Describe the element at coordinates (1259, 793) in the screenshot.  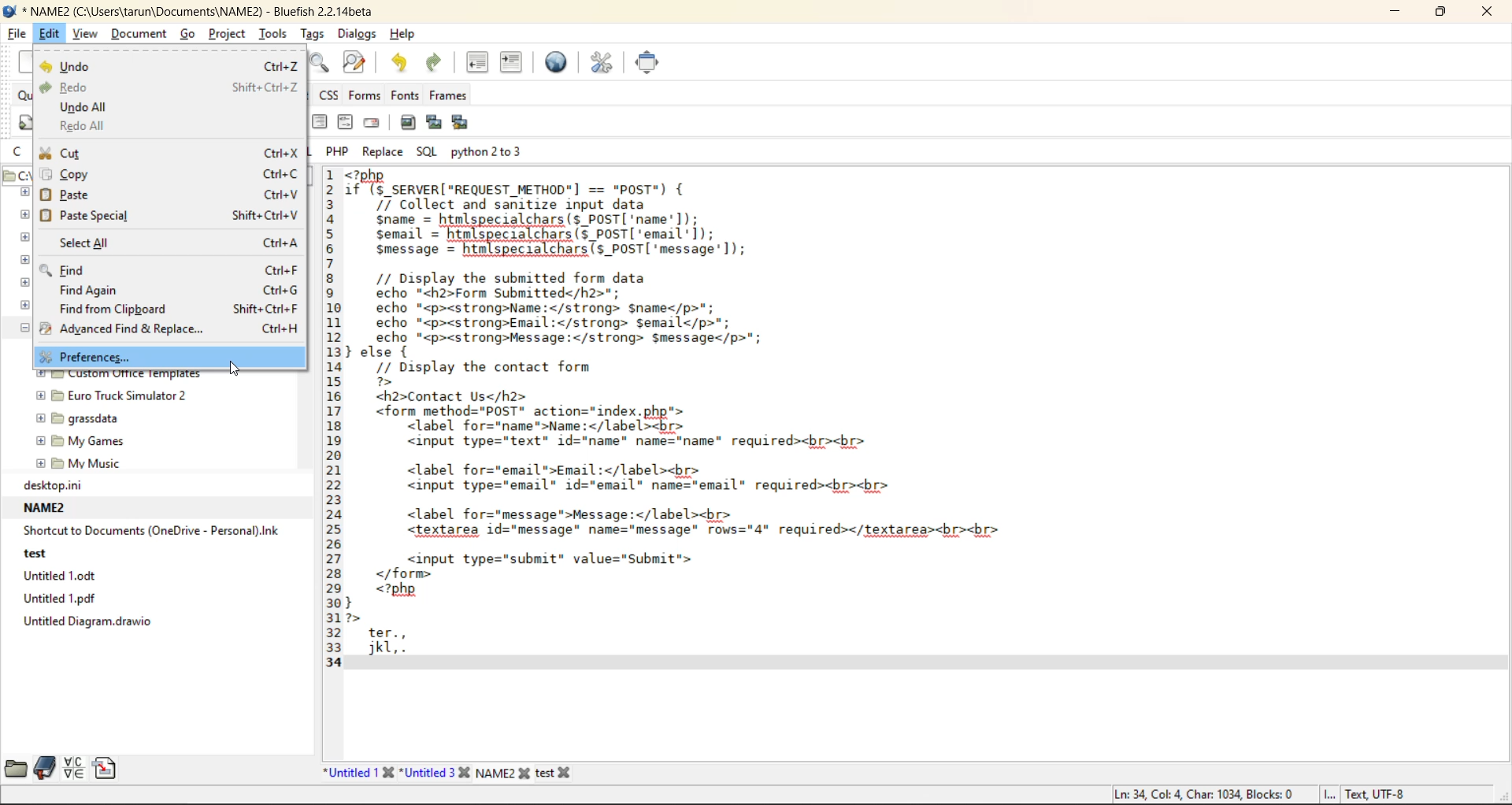
I see `metadata` at that location.